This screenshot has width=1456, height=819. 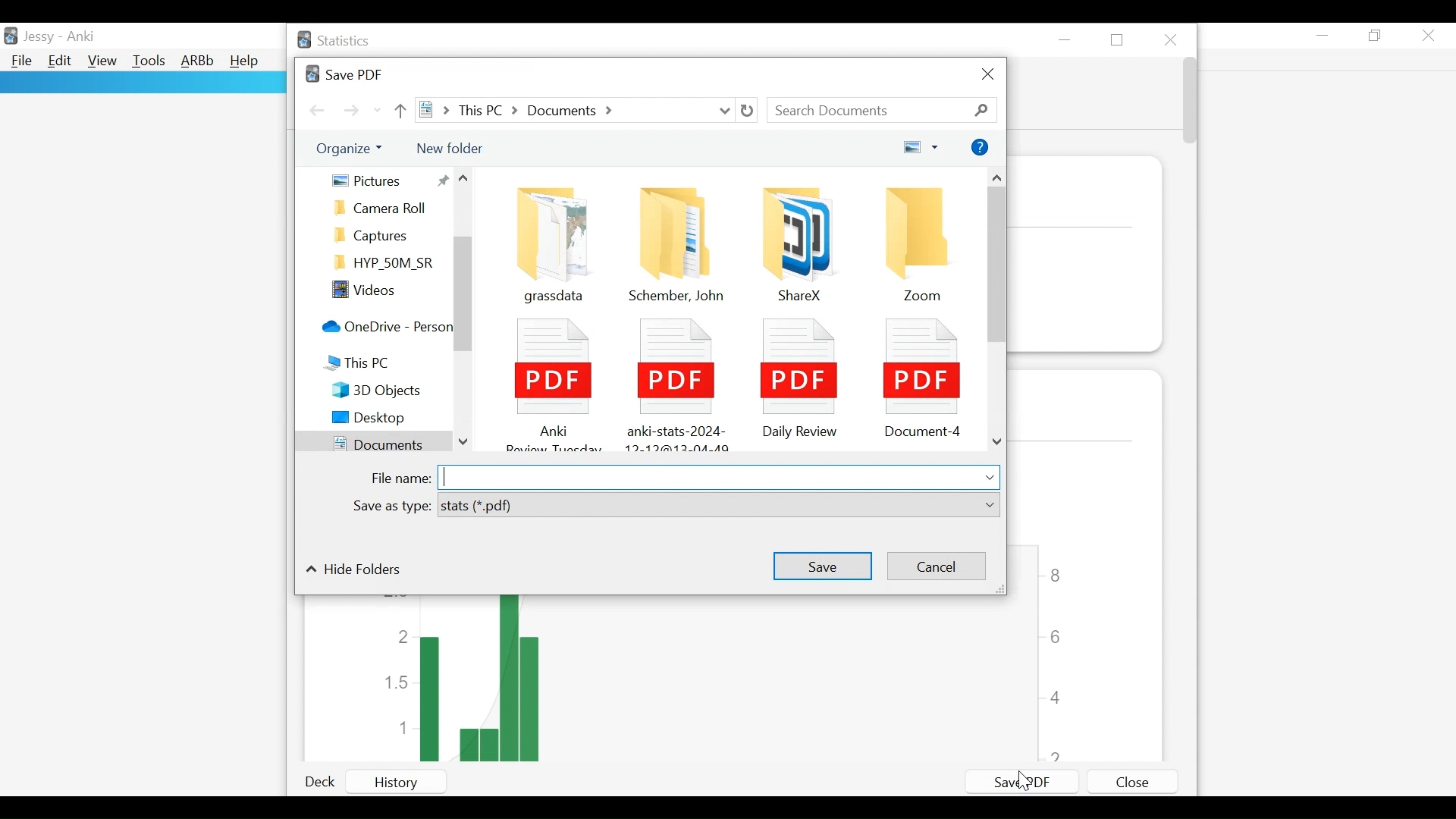 What do you see at coordinates (997, 268) in the screenshot?
I see `Vertical Scroll bar` at bounding box center [997, 268].